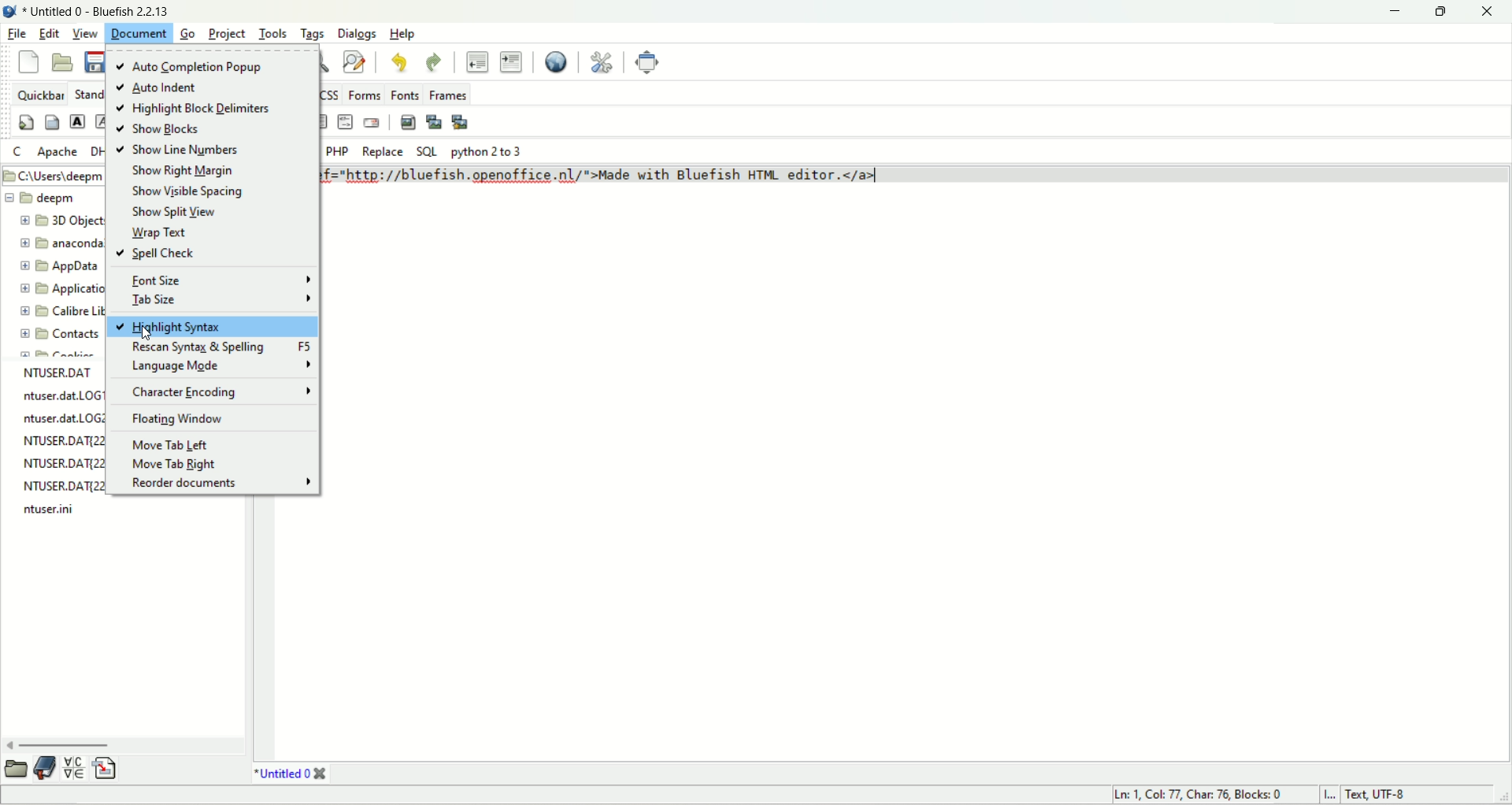  I want to click on help, so click(406, 35).